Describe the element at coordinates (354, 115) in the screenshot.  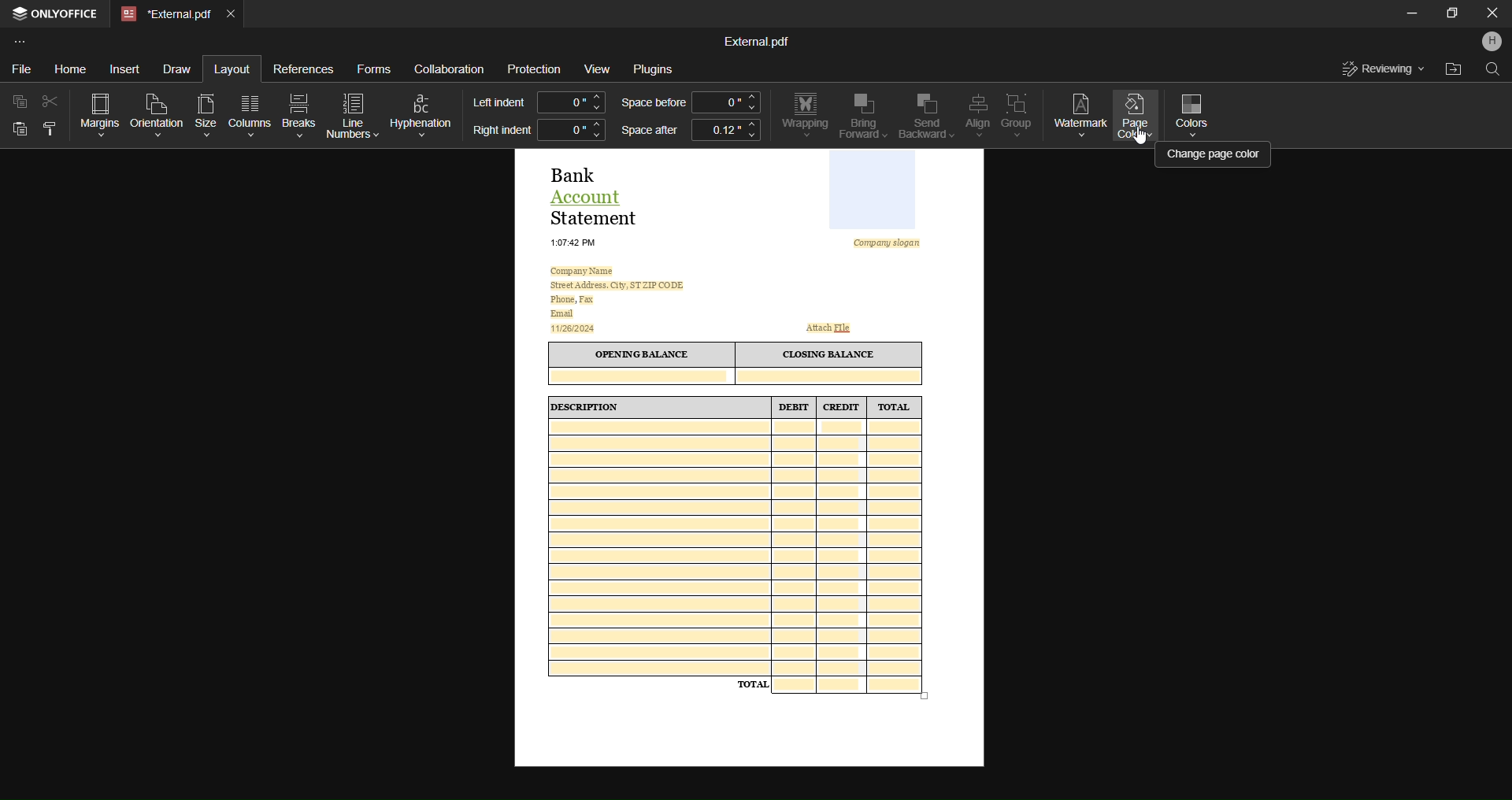
I see `Line Numbers` at that location.